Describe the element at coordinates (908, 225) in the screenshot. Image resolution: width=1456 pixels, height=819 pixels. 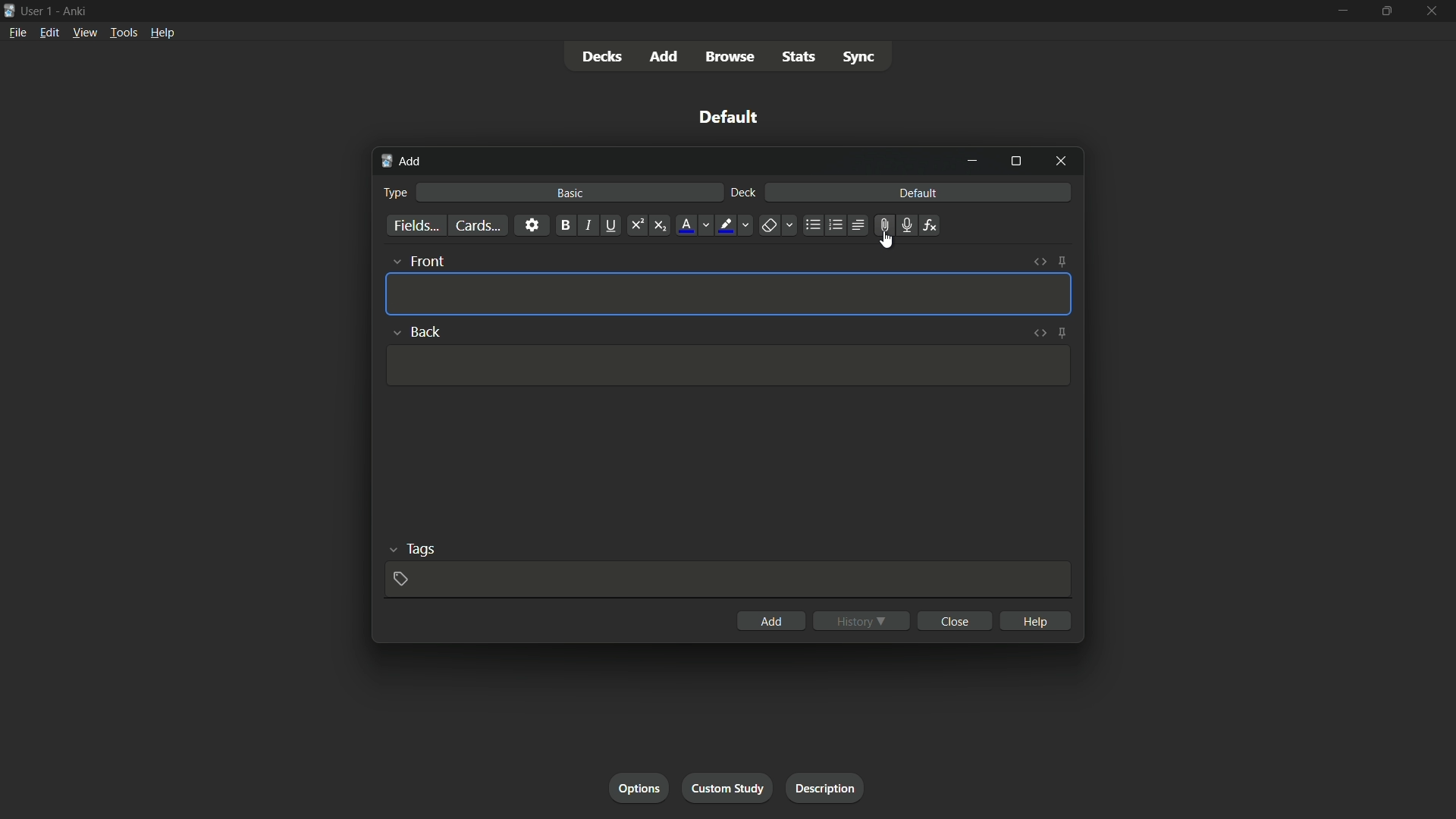
I see `record audio` at that location.